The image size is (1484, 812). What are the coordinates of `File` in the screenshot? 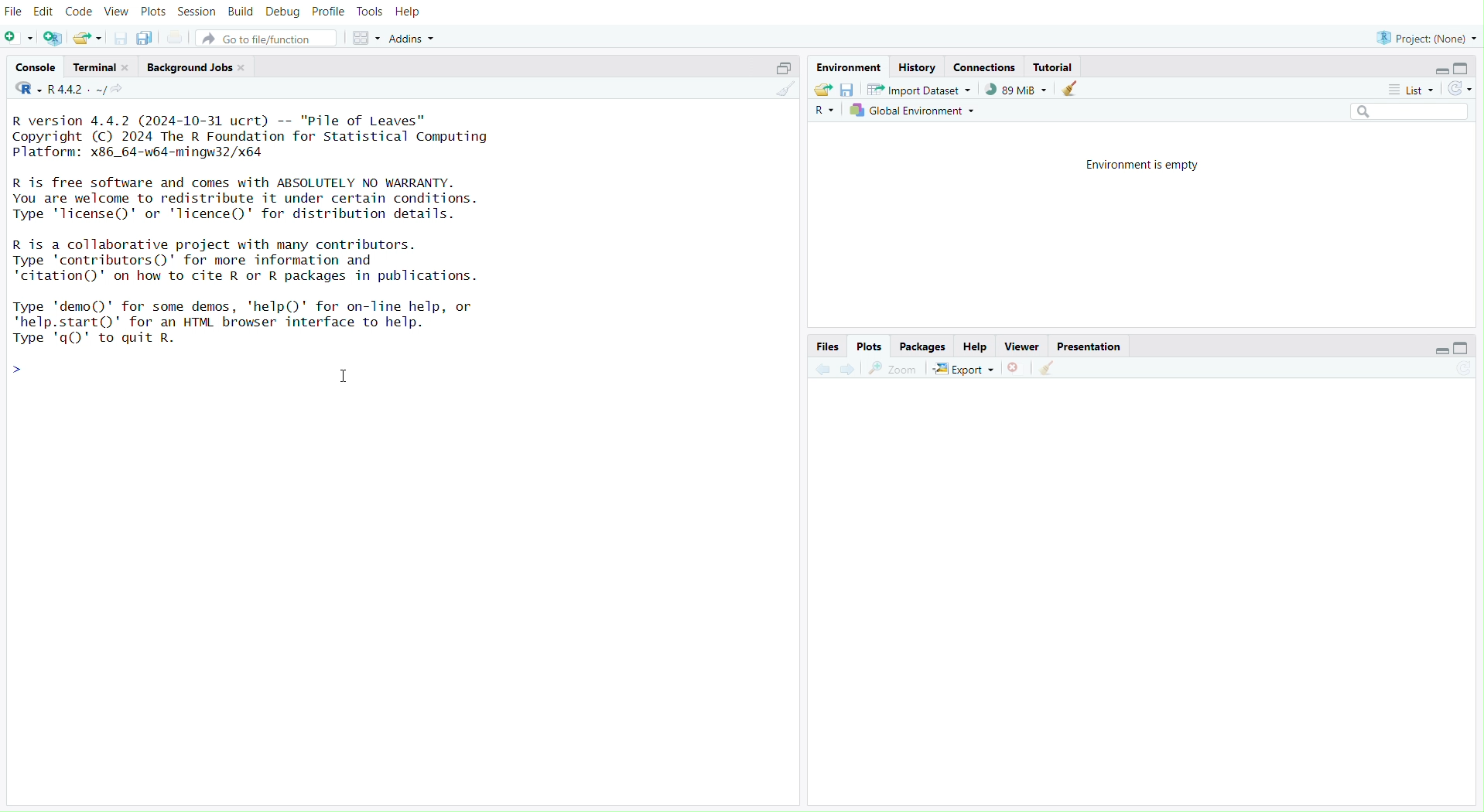 It's located at (15, 12).